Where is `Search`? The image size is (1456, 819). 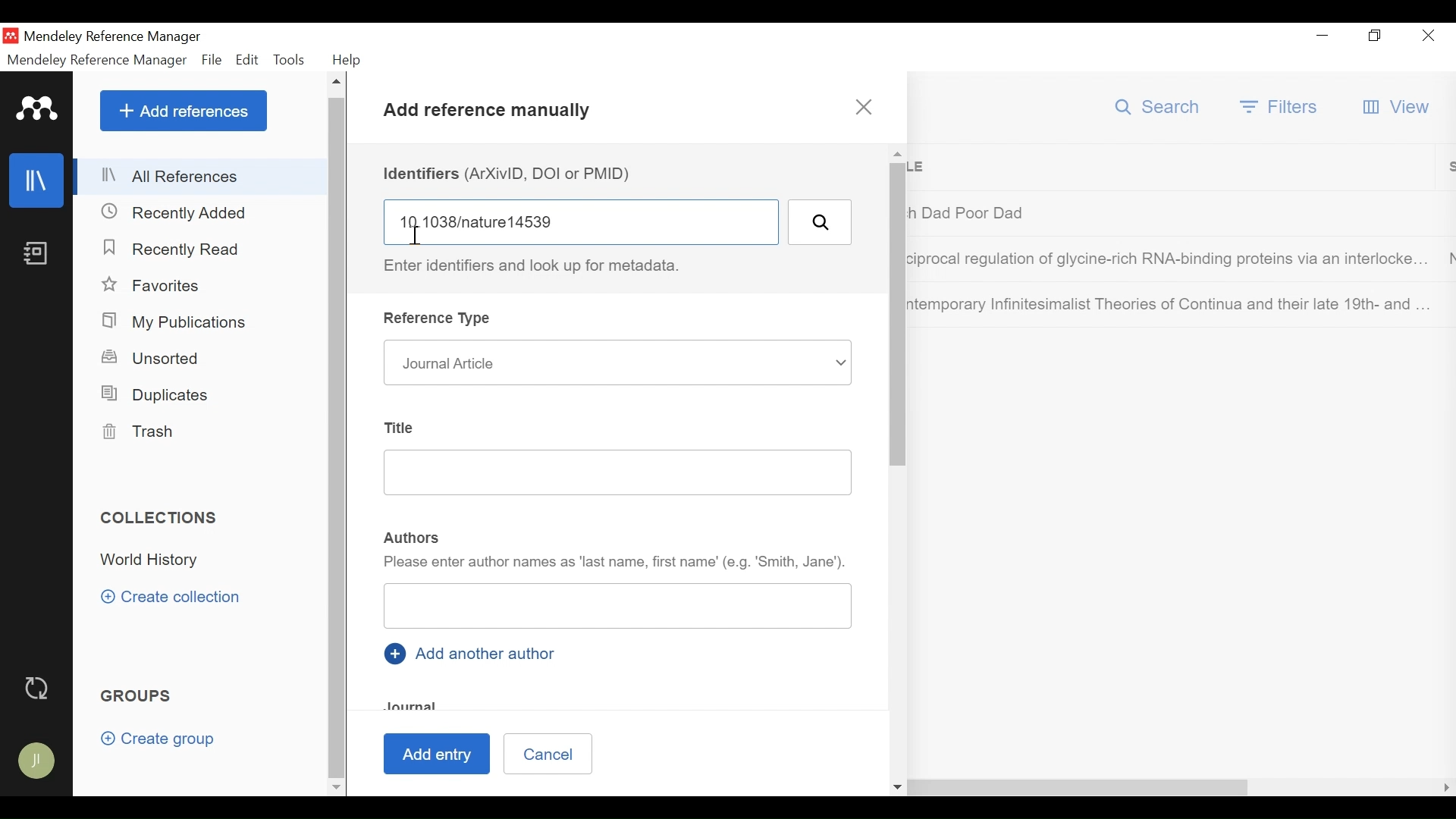 Search is located at coordinates (820, 221).